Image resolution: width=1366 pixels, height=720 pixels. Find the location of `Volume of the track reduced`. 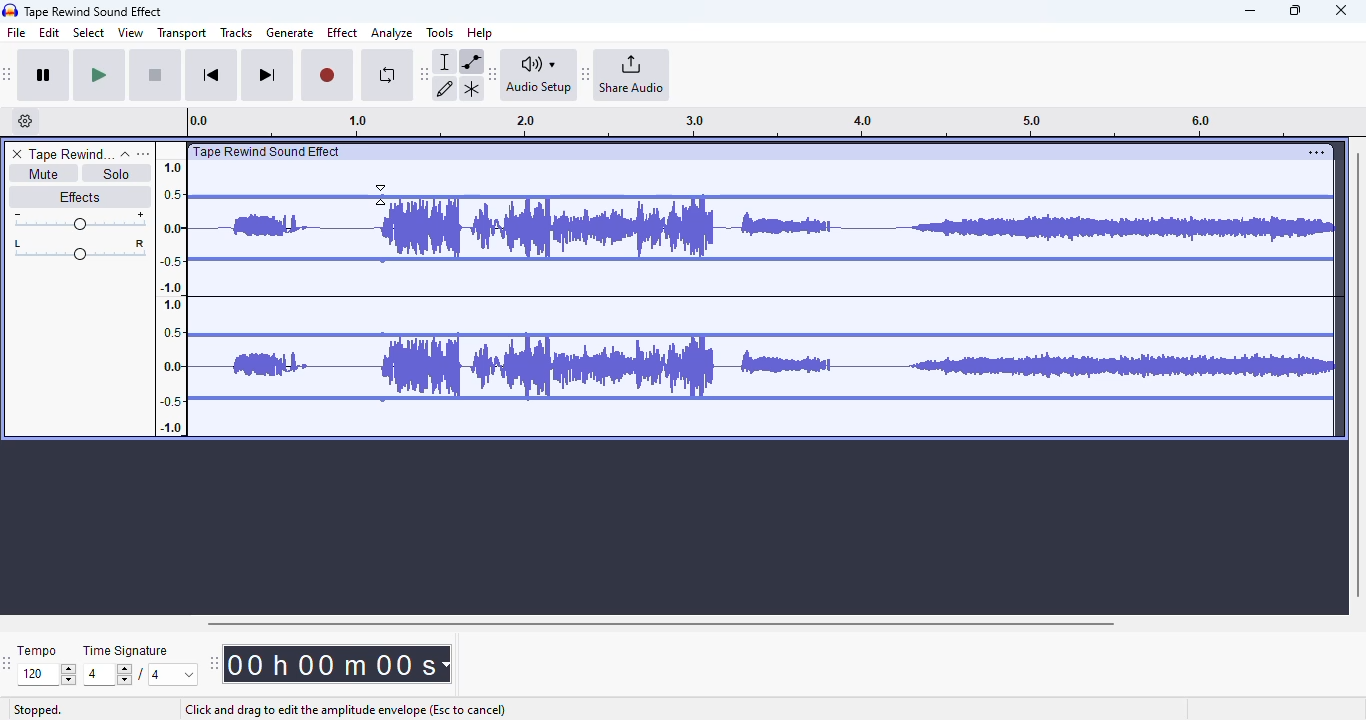

Volume of the track reduced is located at coordinates (279, 290).